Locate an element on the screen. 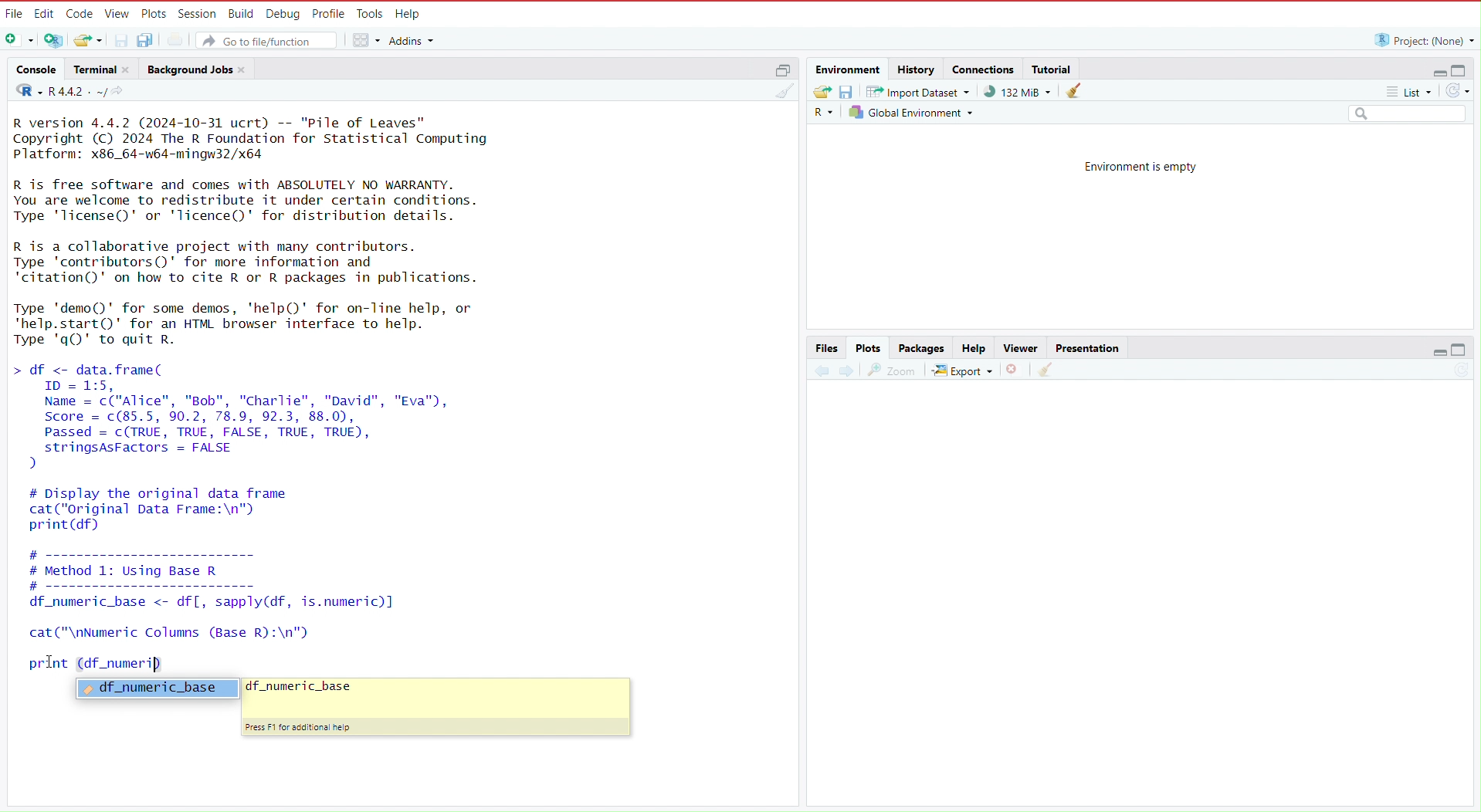 This screenshot has width=1481, height=812. Press F1 for additional help. is located at coordinates (309, 729).